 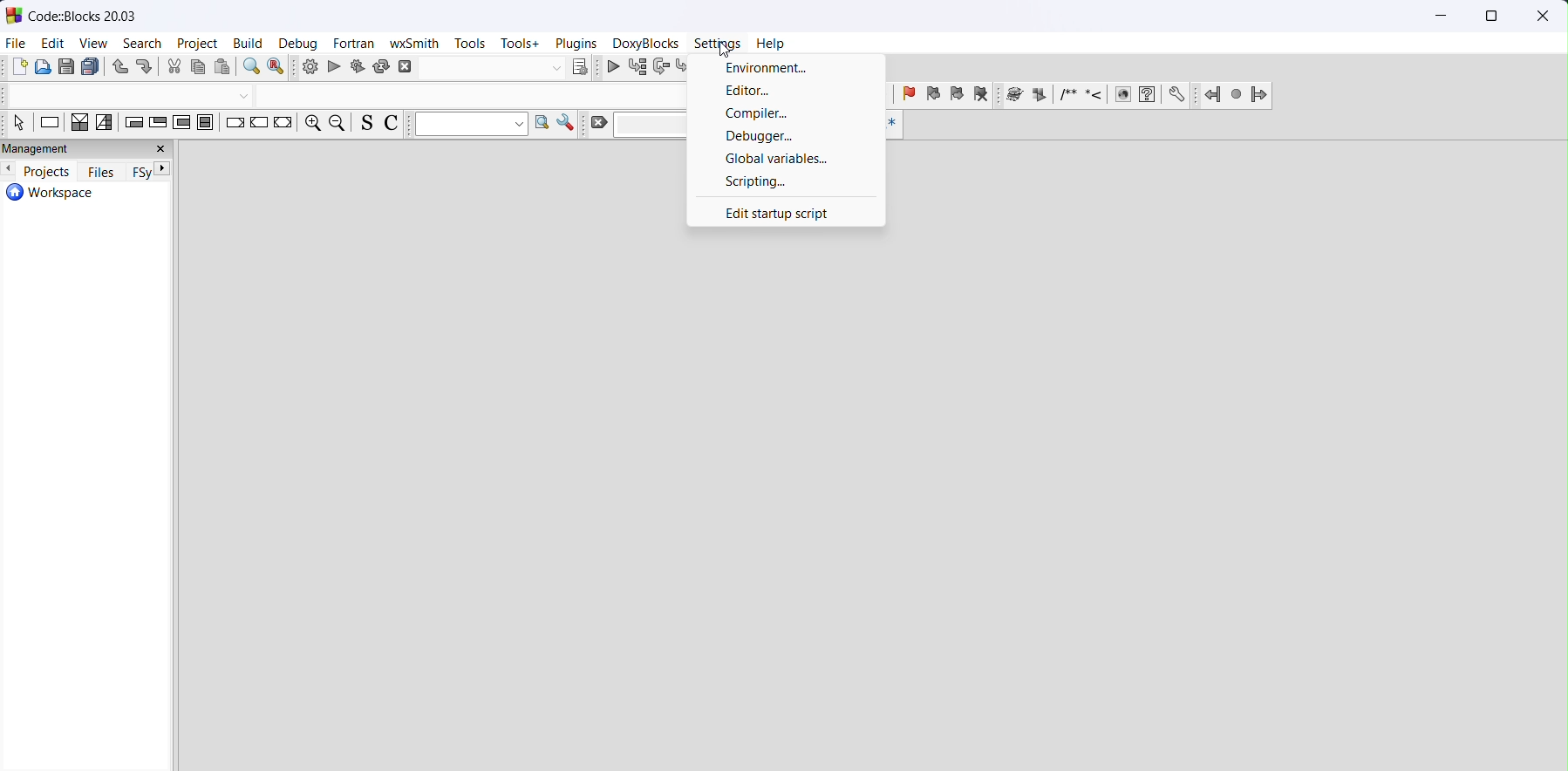 What do you see at coordinates (20, 68) in the screenshot?
I see `new file` at bounding box center [20, 68].